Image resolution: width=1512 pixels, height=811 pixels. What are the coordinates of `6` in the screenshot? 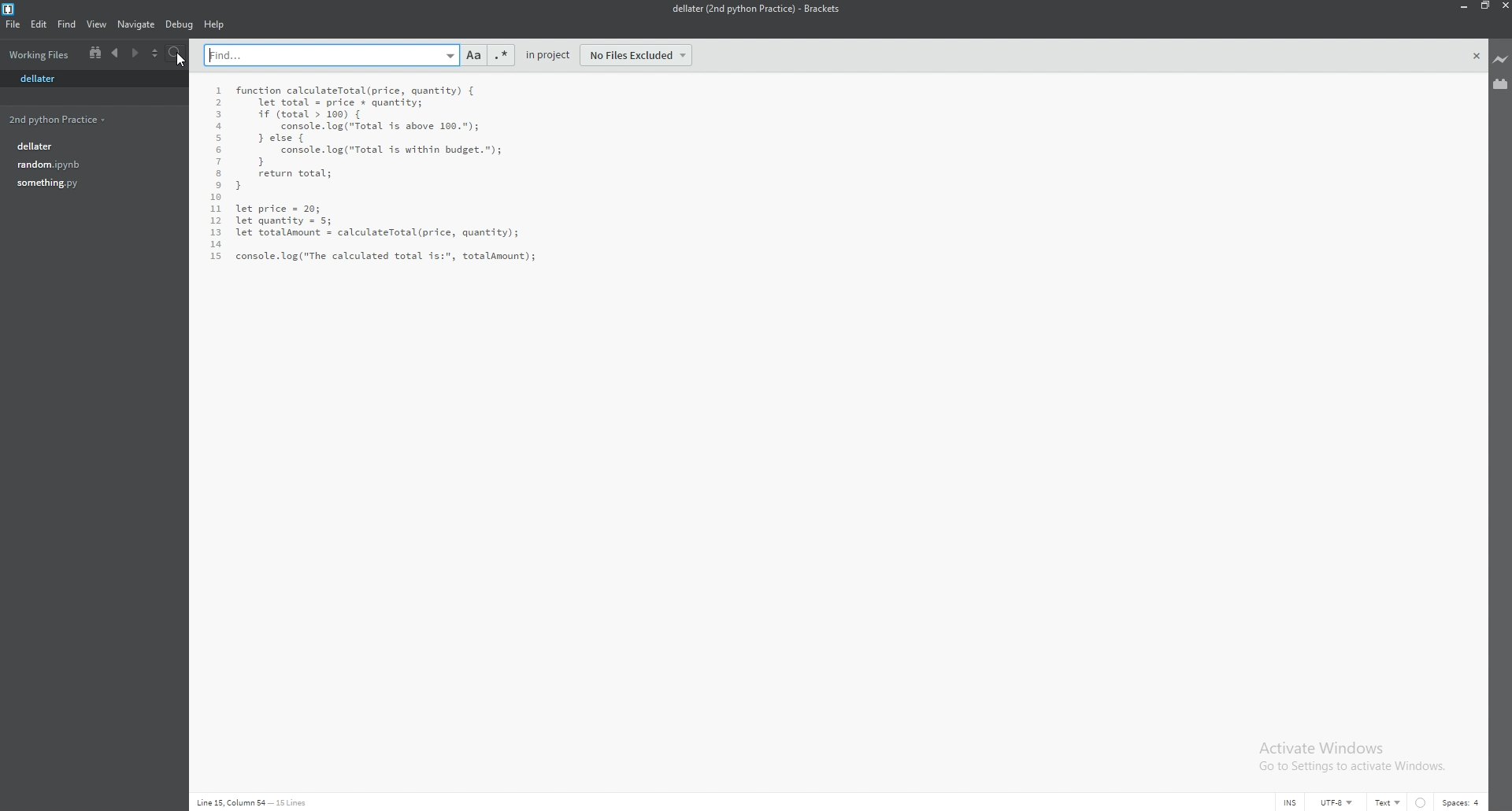 It's located at (217, 151).